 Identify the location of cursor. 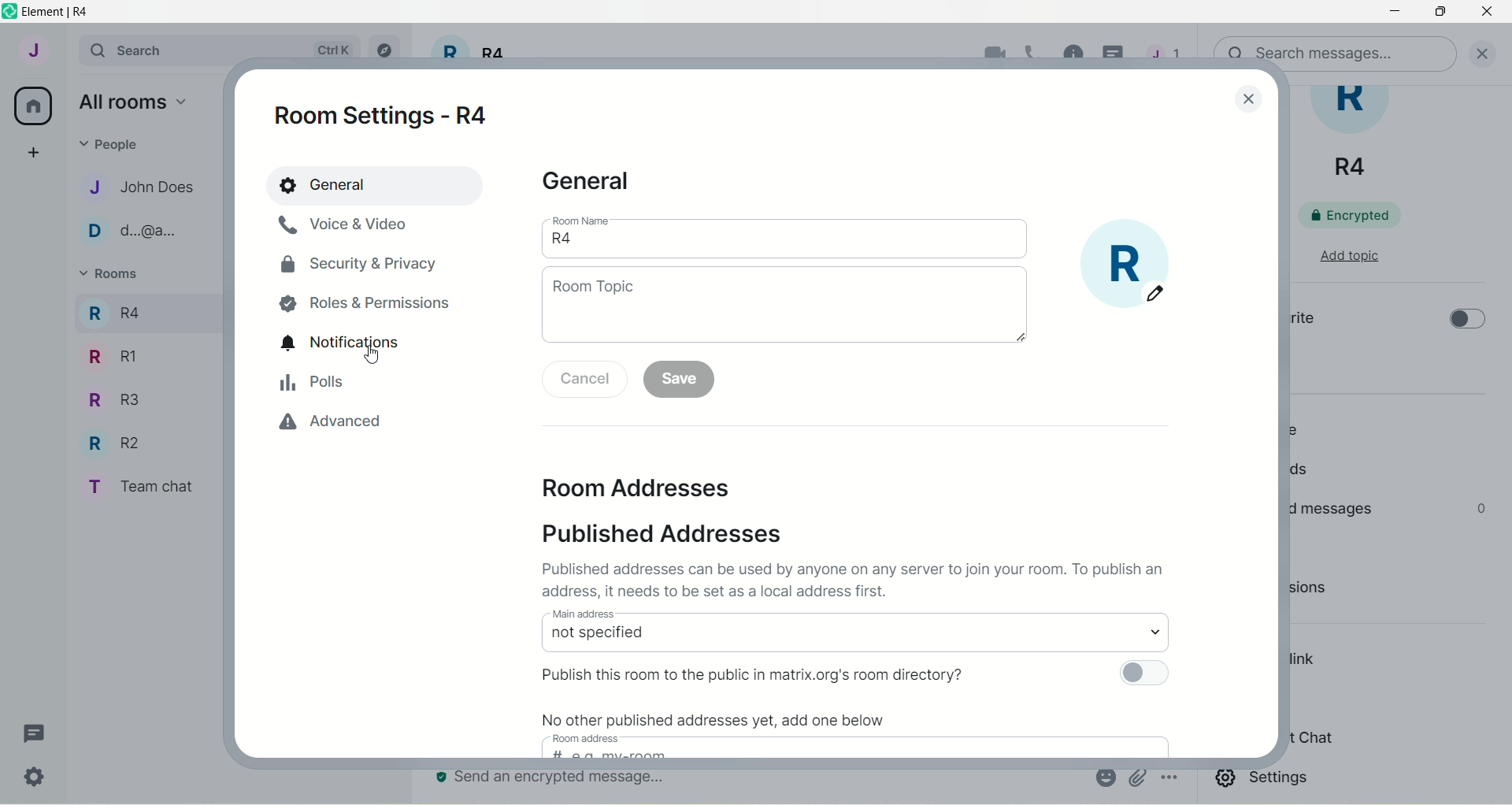
(1114, 50).